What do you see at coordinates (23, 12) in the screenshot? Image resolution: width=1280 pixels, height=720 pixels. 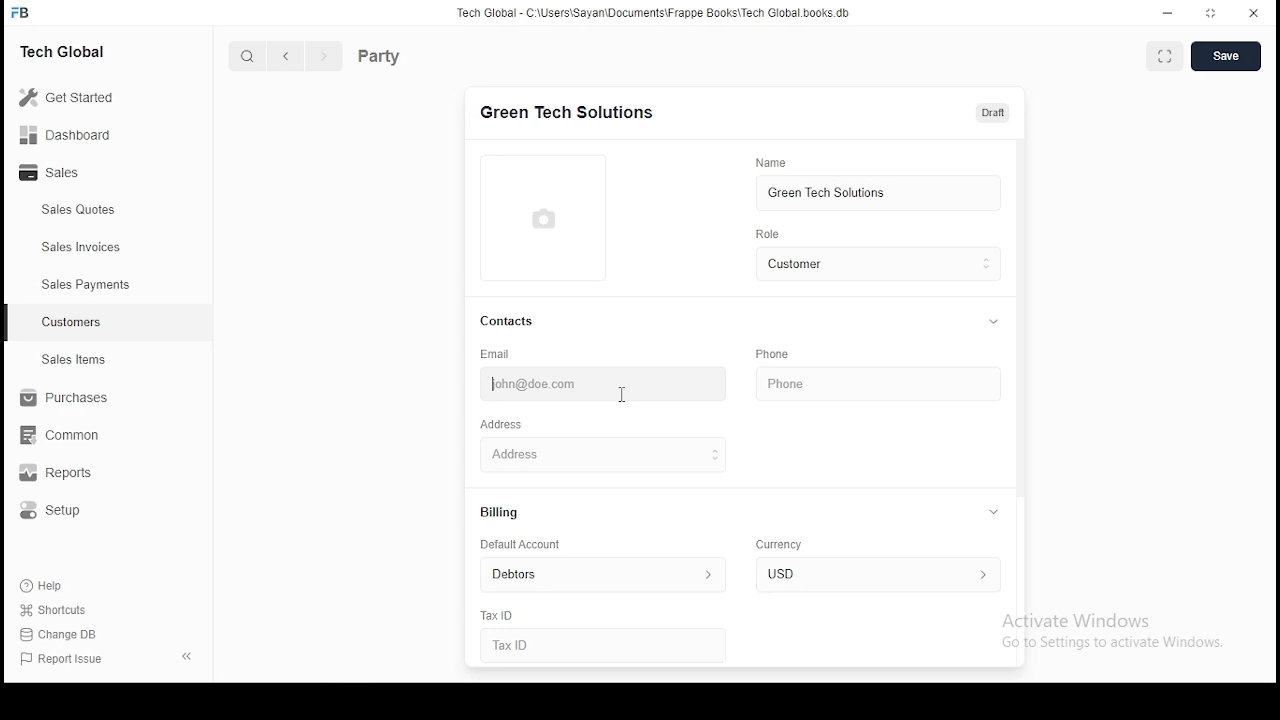 I see `icon` at bounding box center [23, 12].